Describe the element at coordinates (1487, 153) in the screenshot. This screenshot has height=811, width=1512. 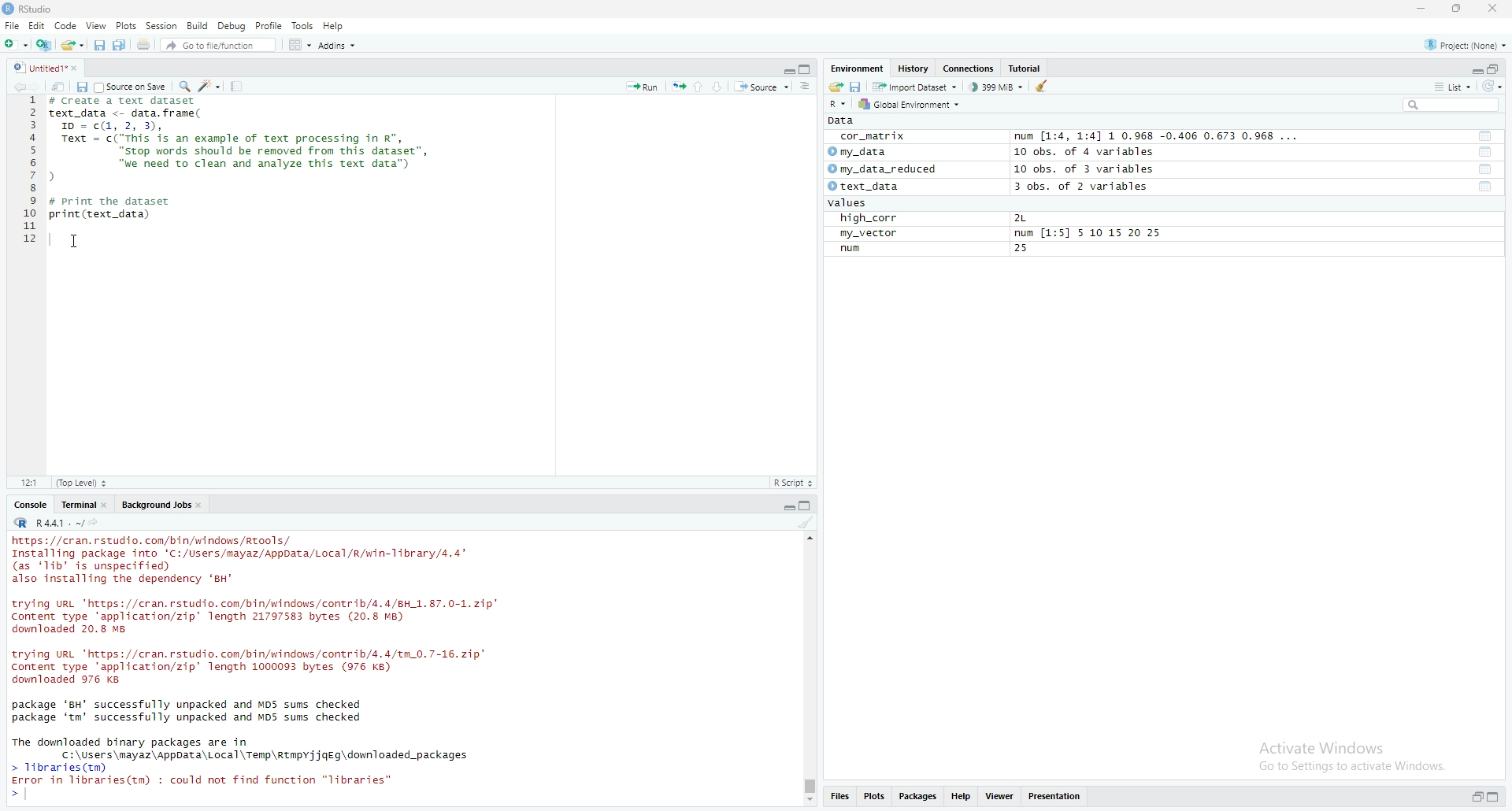
I see `functions` at that location.